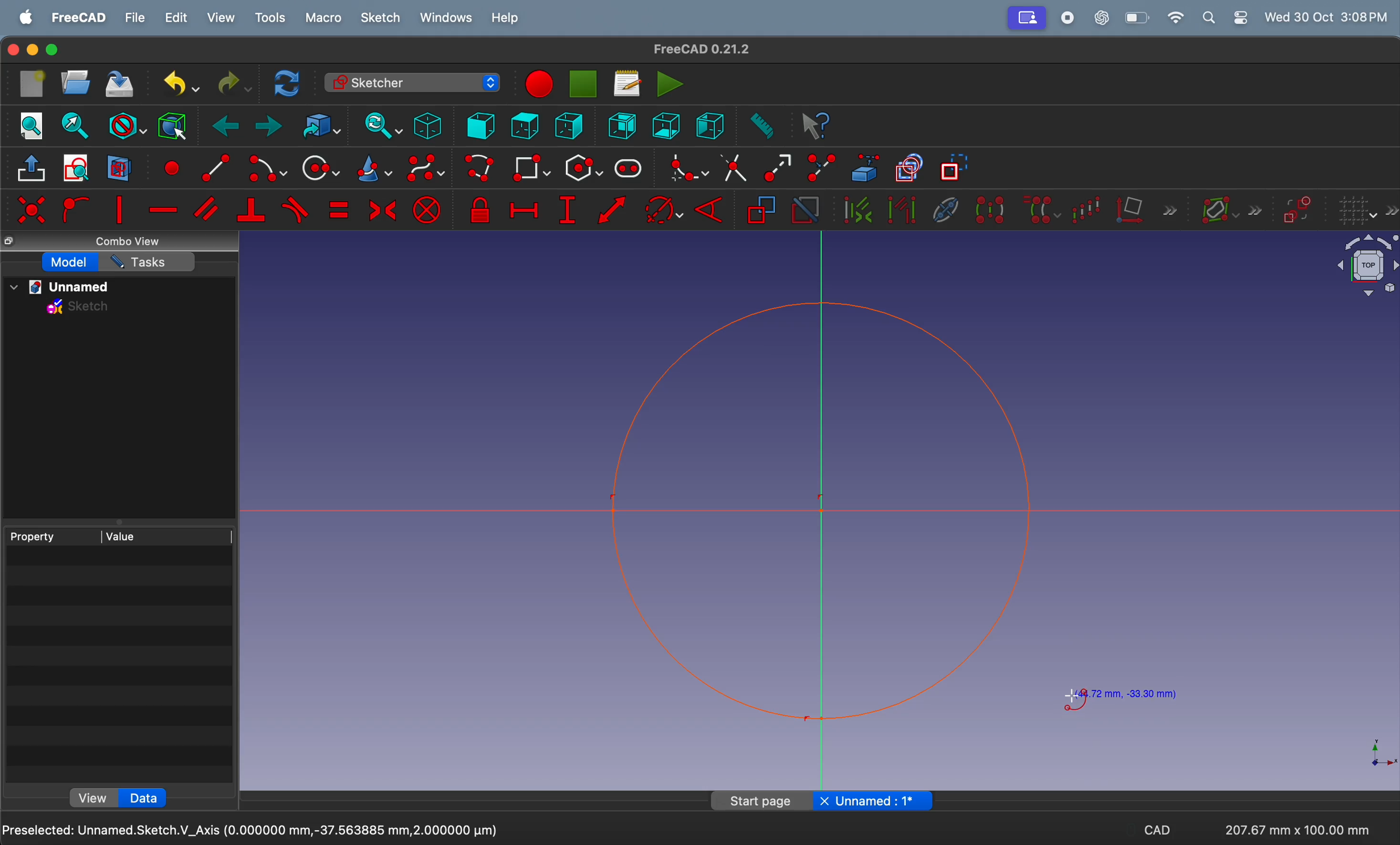 The image size is (1400, 845). I want to click on whats this?, so click(816, 127).